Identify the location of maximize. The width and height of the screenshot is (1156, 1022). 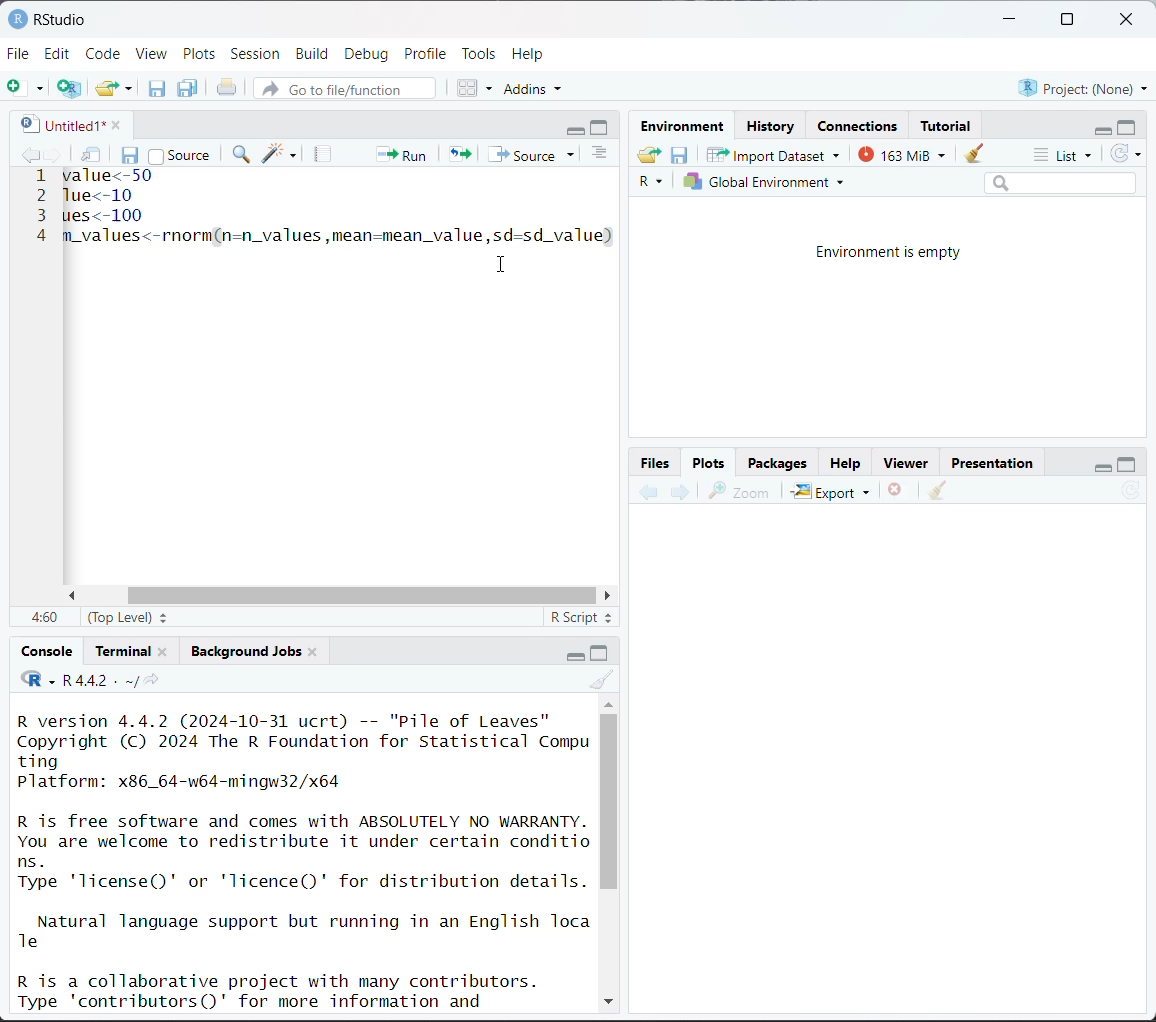
(1127, 463).